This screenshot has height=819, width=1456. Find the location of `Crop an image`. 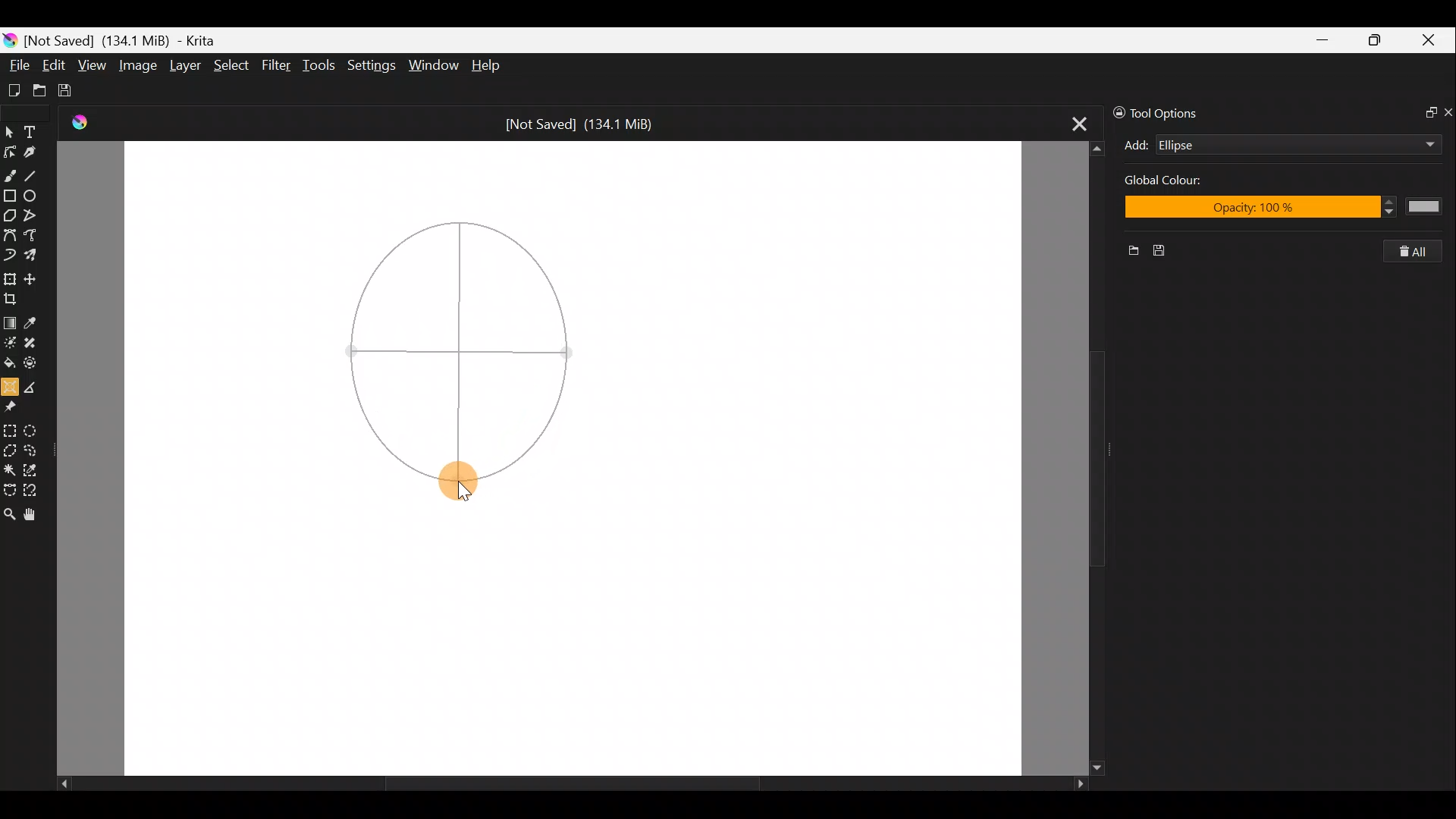

Crop an image is located at coordinates (14, 297).